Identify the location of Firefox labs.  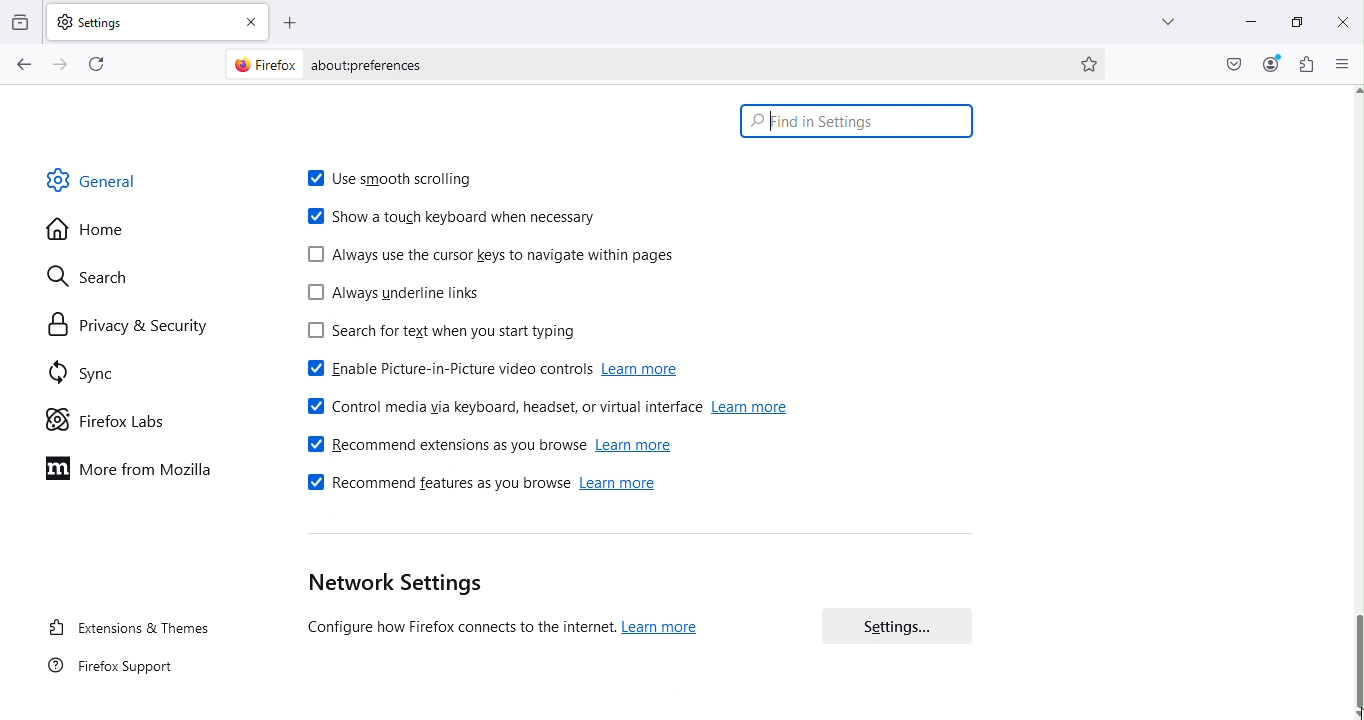
(108, 421).